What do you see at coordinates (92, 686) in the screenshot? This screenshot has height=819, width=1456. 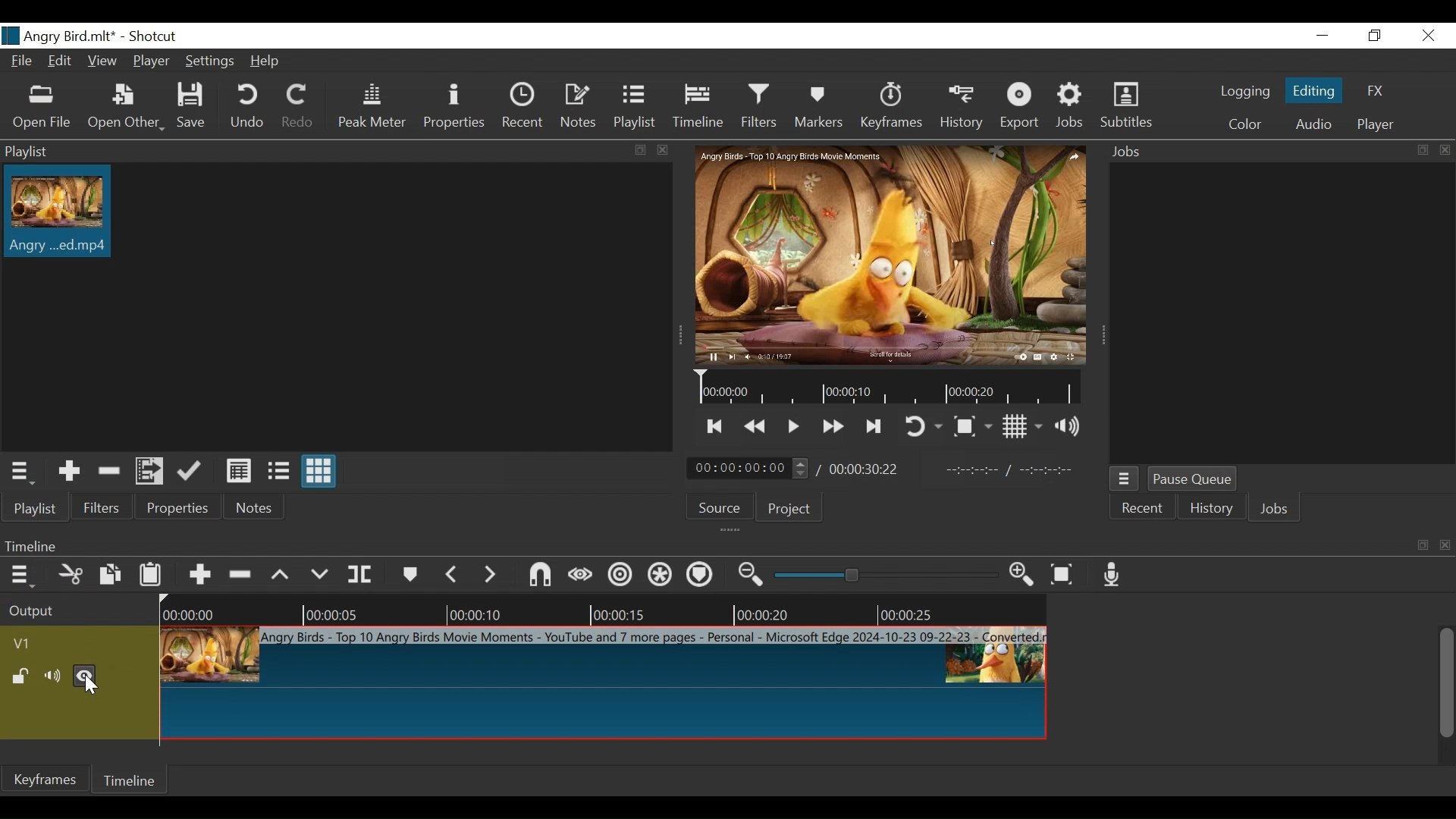 I see `Cursor` at bounding box center [92, 686].